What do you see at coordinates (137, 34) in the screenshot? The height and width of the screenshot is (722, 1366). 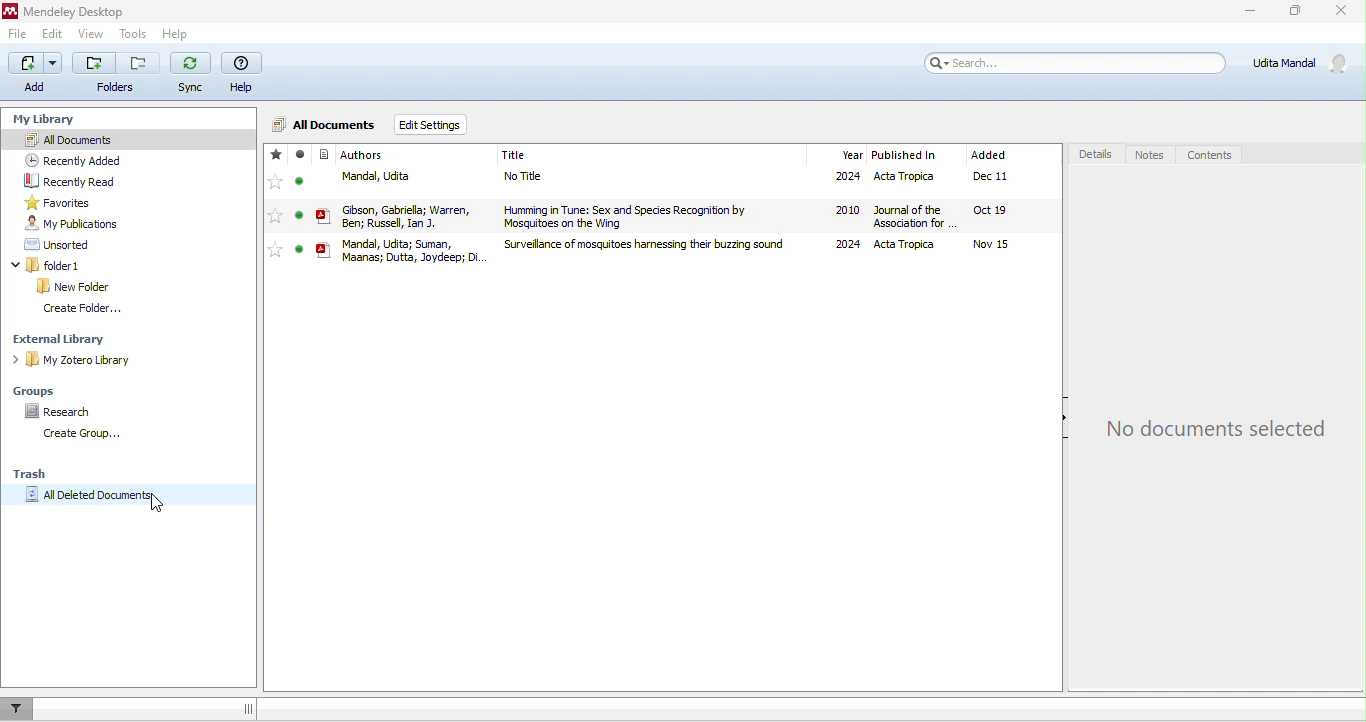 I see `tools` at bounding box center [137, 34].